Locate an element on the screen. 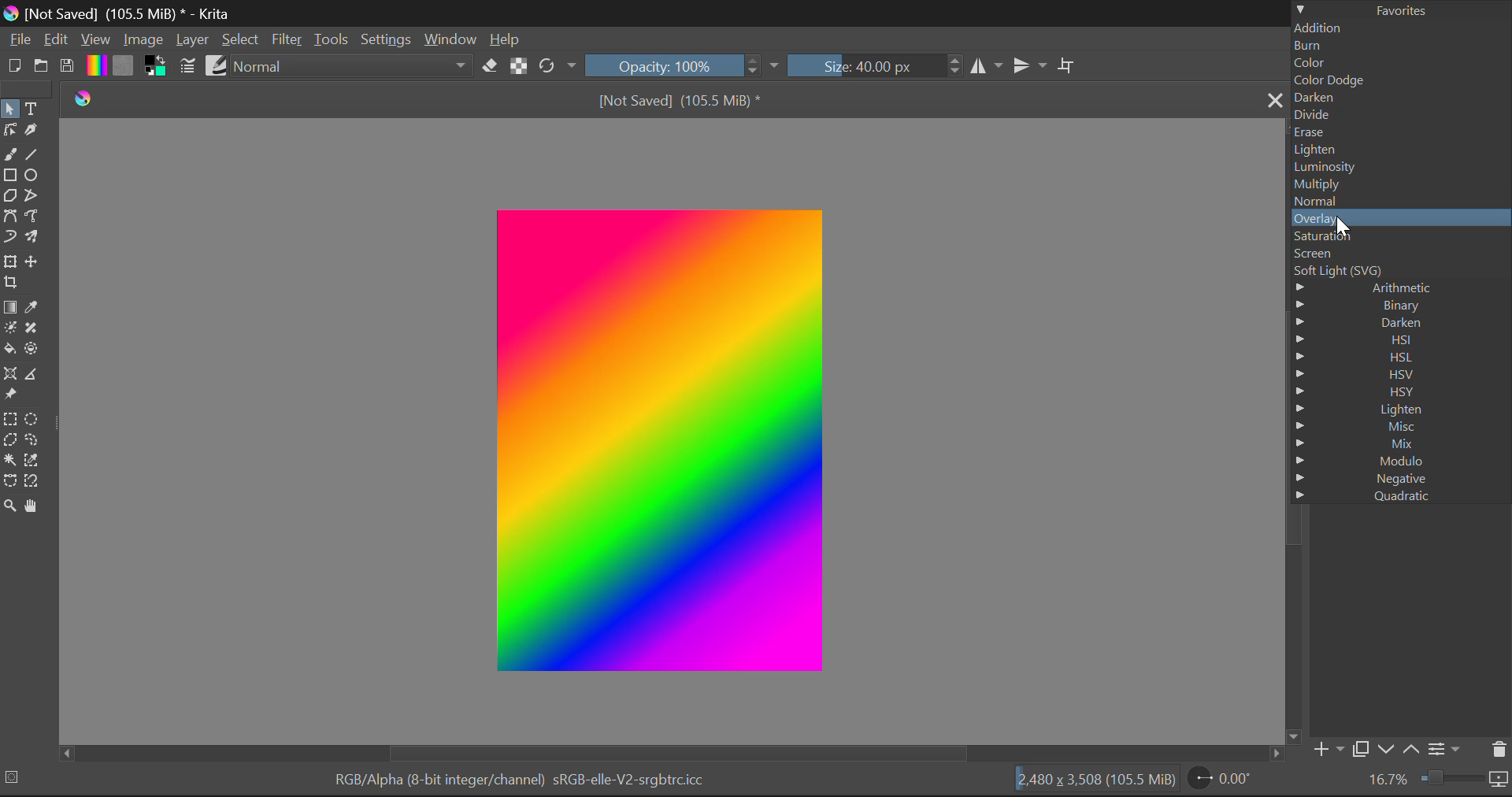 The image size is (1512, 797). 16.7% is located at coordinates (1386, 779).